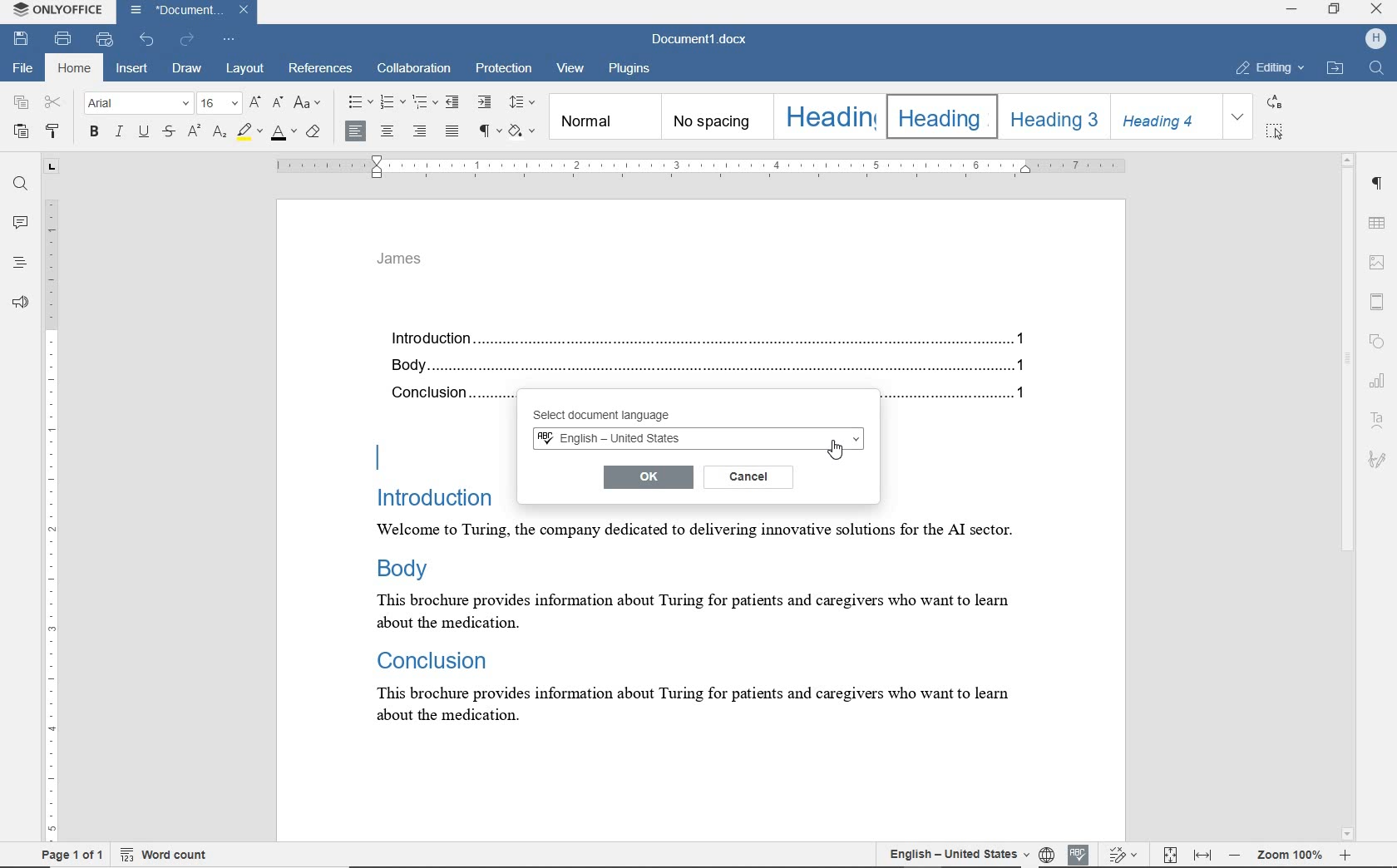 This screenshot has height=868, width=1397. Describe the element at coordinates (58, 12) in the screenshot. I see `system name` at that location.